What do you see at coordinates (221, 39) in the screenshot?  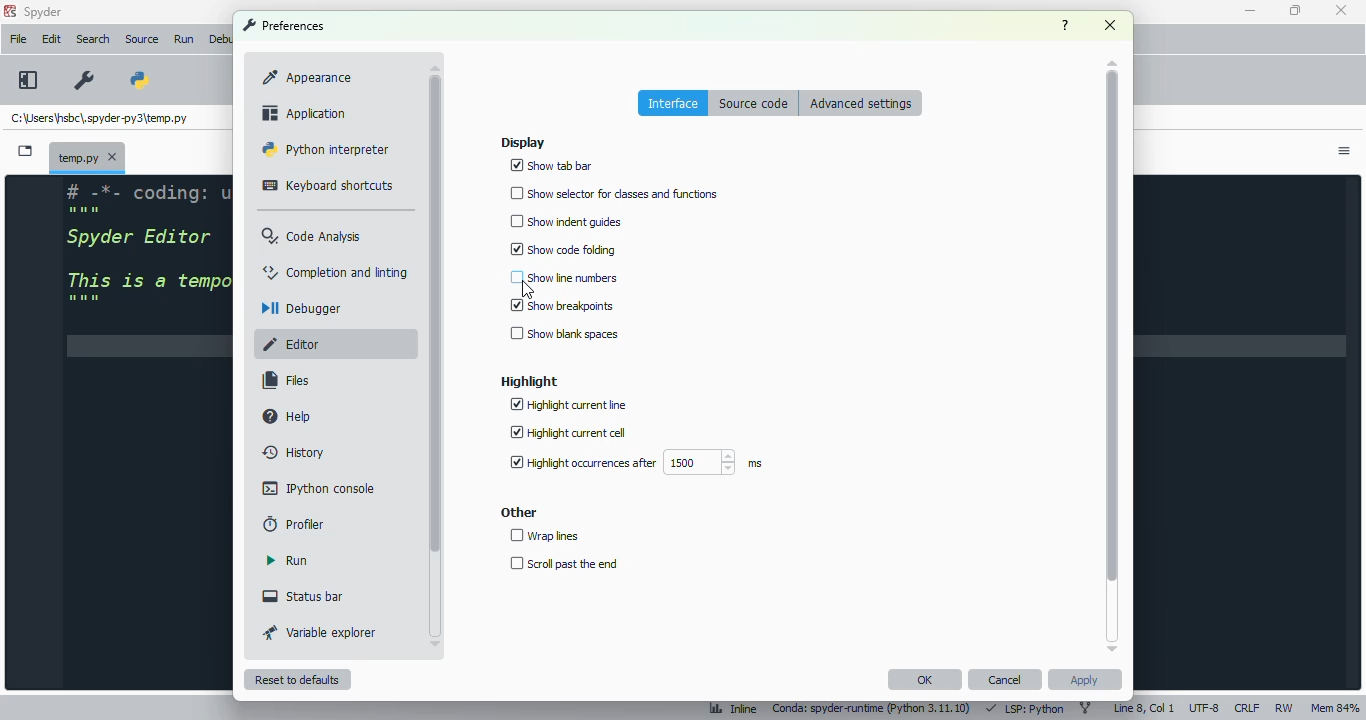 I see `debug` at bounding box center [221, 39].